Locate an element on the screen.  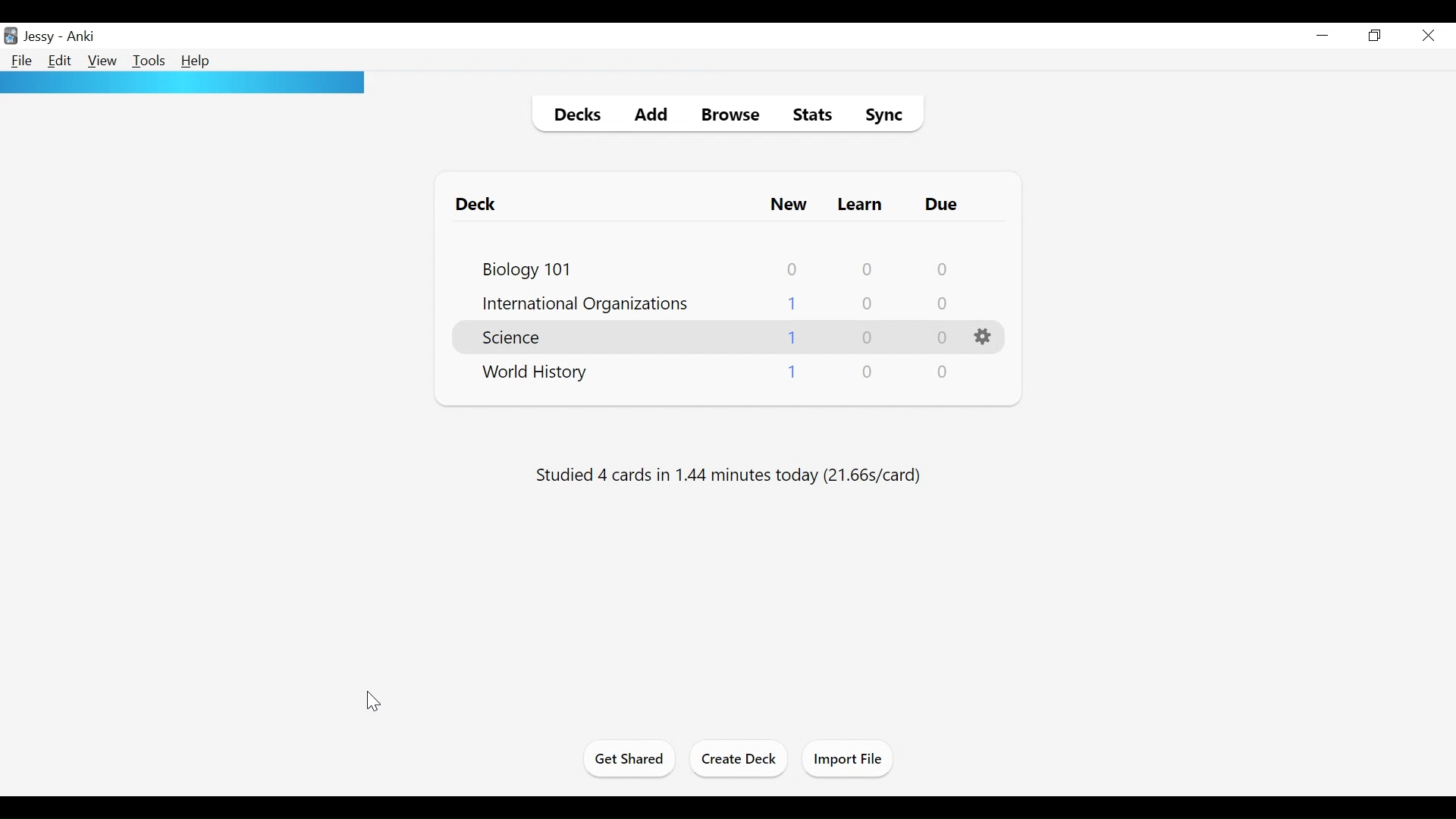
Anki Desktop icon is located at coordinates (11, 36).